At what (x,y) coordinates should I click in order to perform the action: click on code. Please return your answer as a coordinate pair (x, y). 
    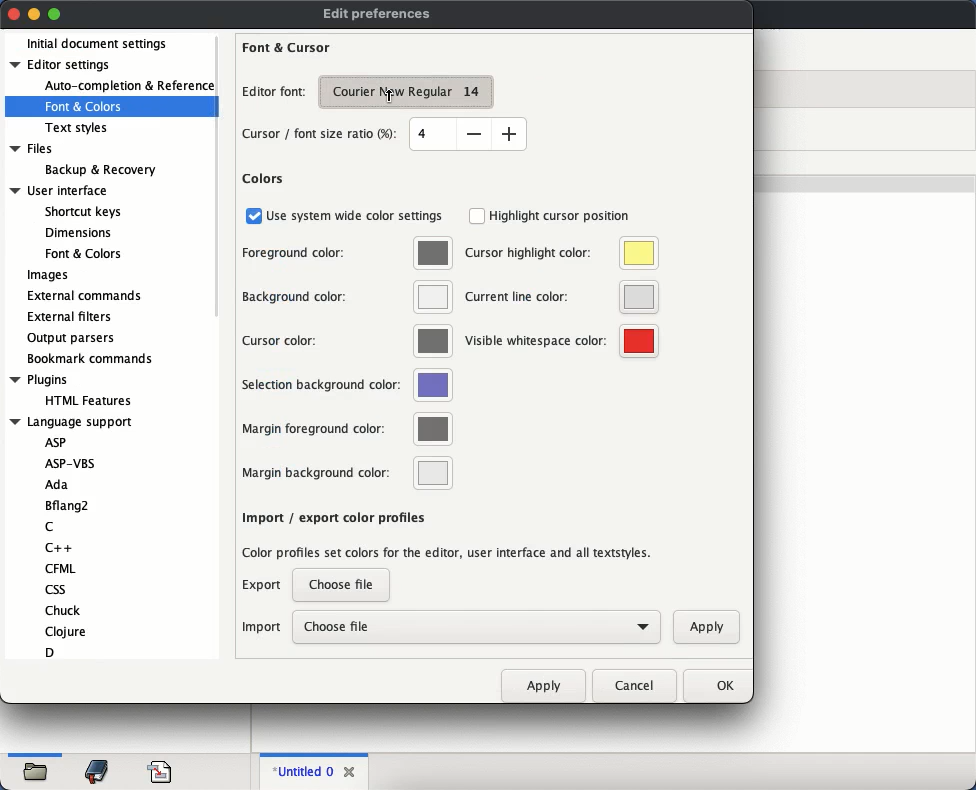
    Looking at the image, I should click on (160, 770).